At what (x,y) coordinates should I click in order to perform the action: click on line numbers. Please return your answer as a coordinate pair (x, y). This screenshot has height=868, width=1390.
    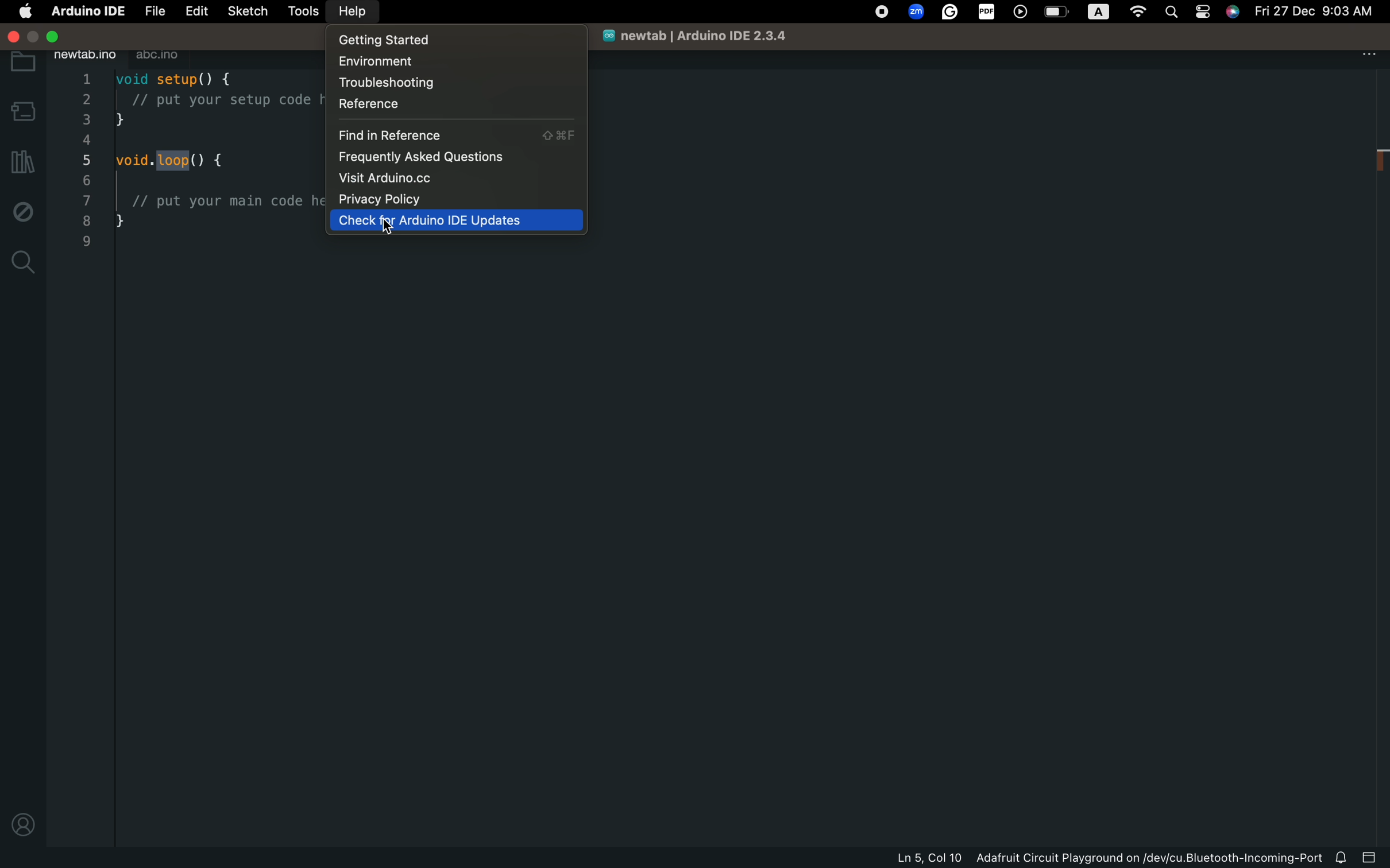
    Looking at the image, I should click on (86, 162).